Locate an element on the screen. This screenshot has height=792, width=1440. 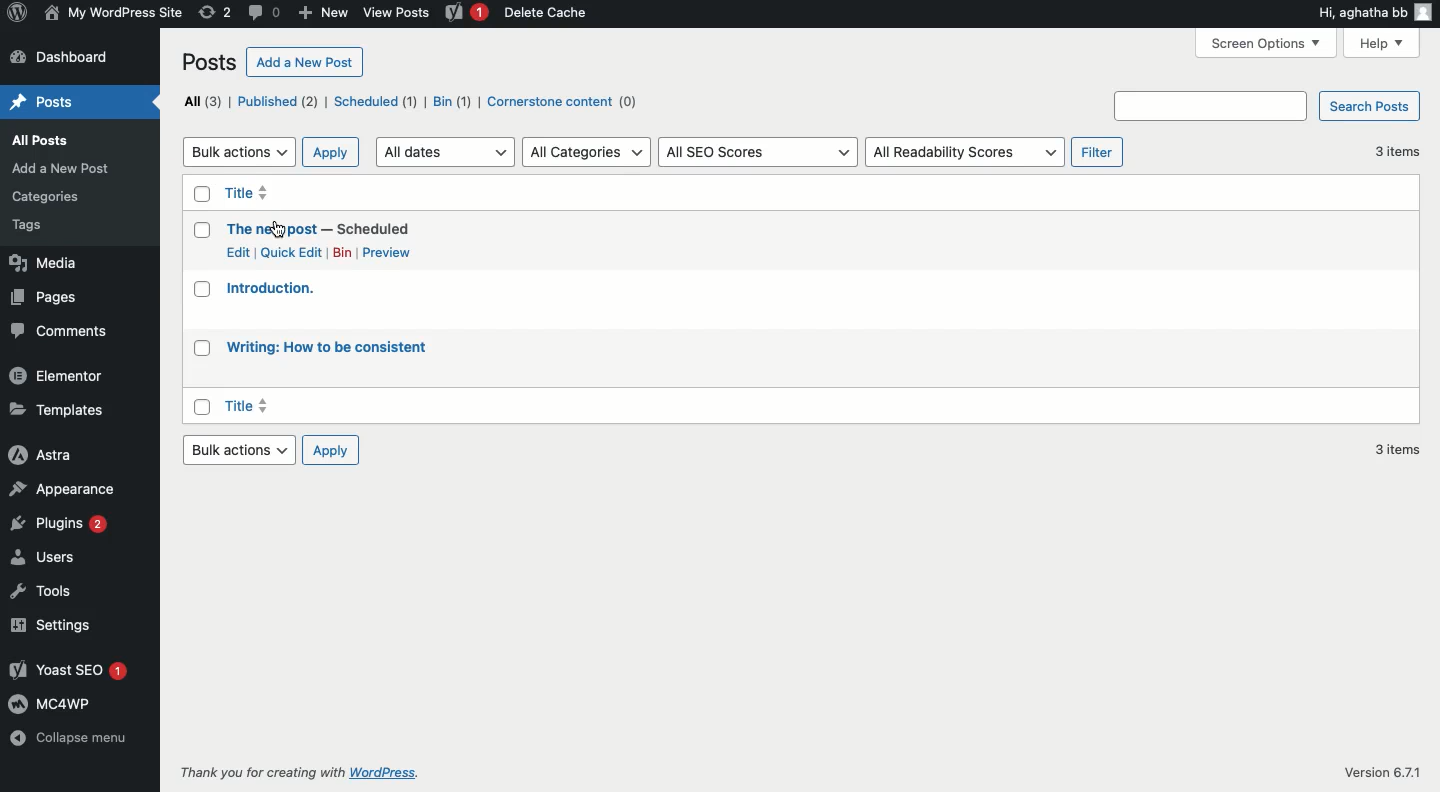
Help is located at coordinates (1386, 43).